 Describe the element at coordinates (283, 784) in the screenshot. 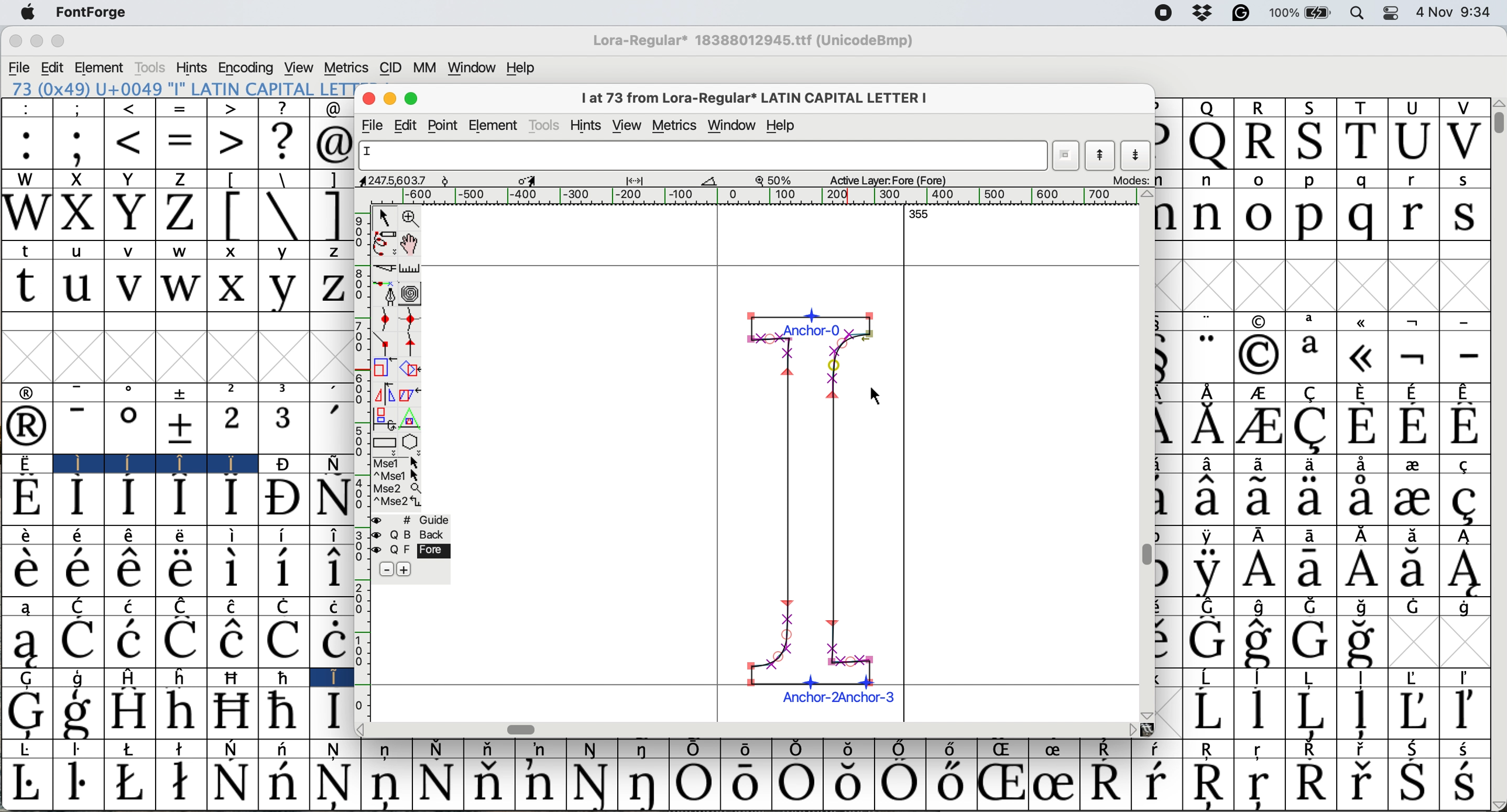

I see `Symbol` at that location.